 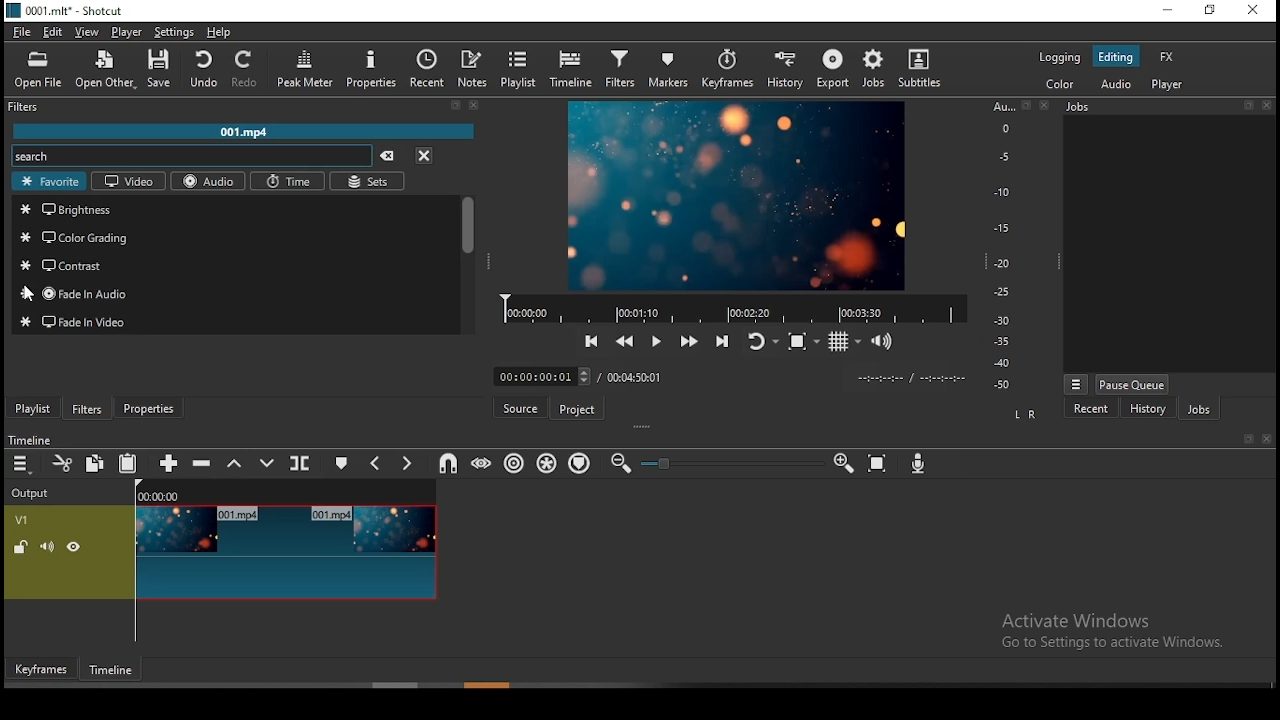 I want to click on markers, so click(x=667, y=68).